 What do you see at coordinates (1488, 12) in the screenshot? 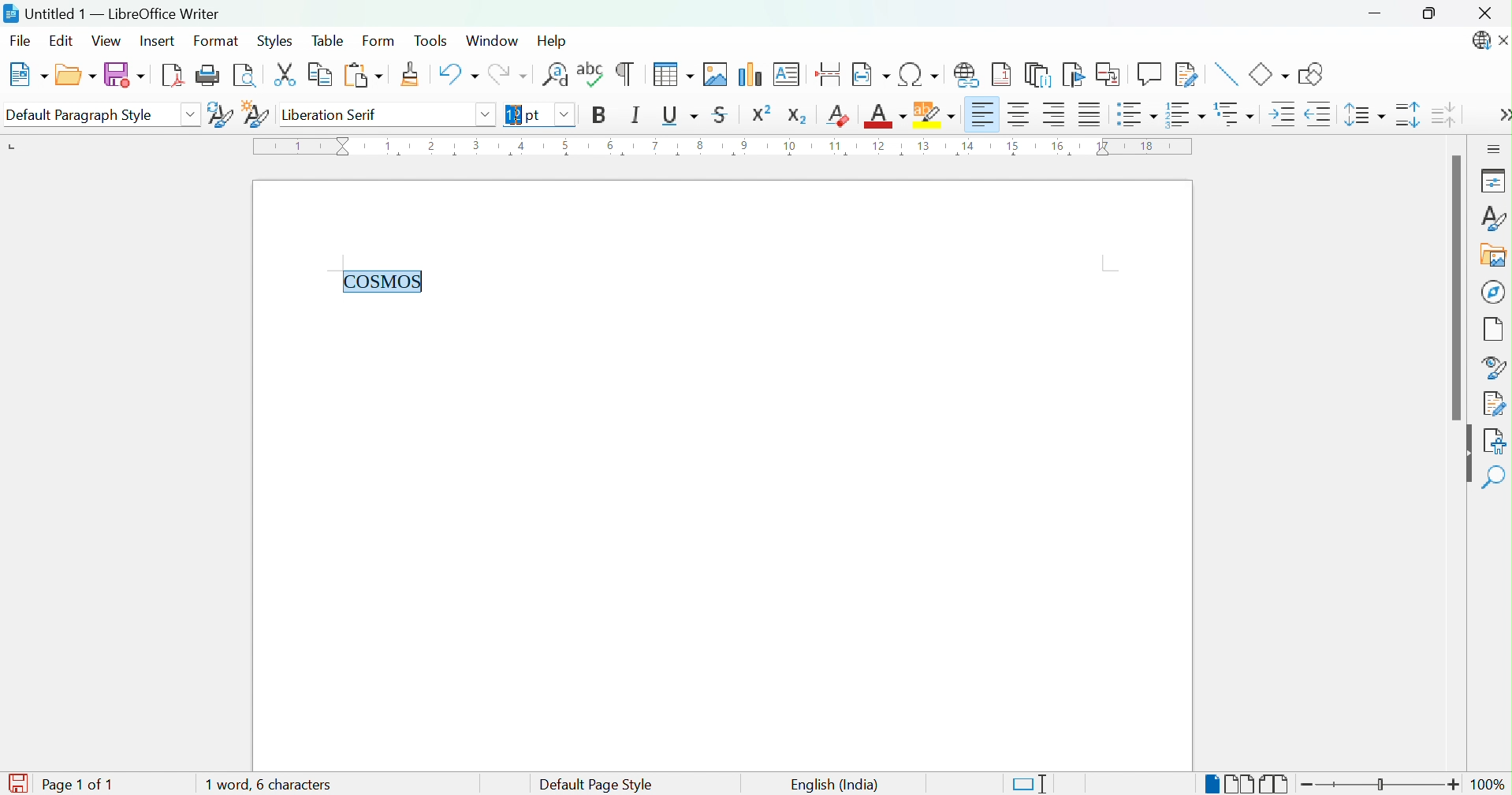
I see `Close` at bounding box center [1488, 12].